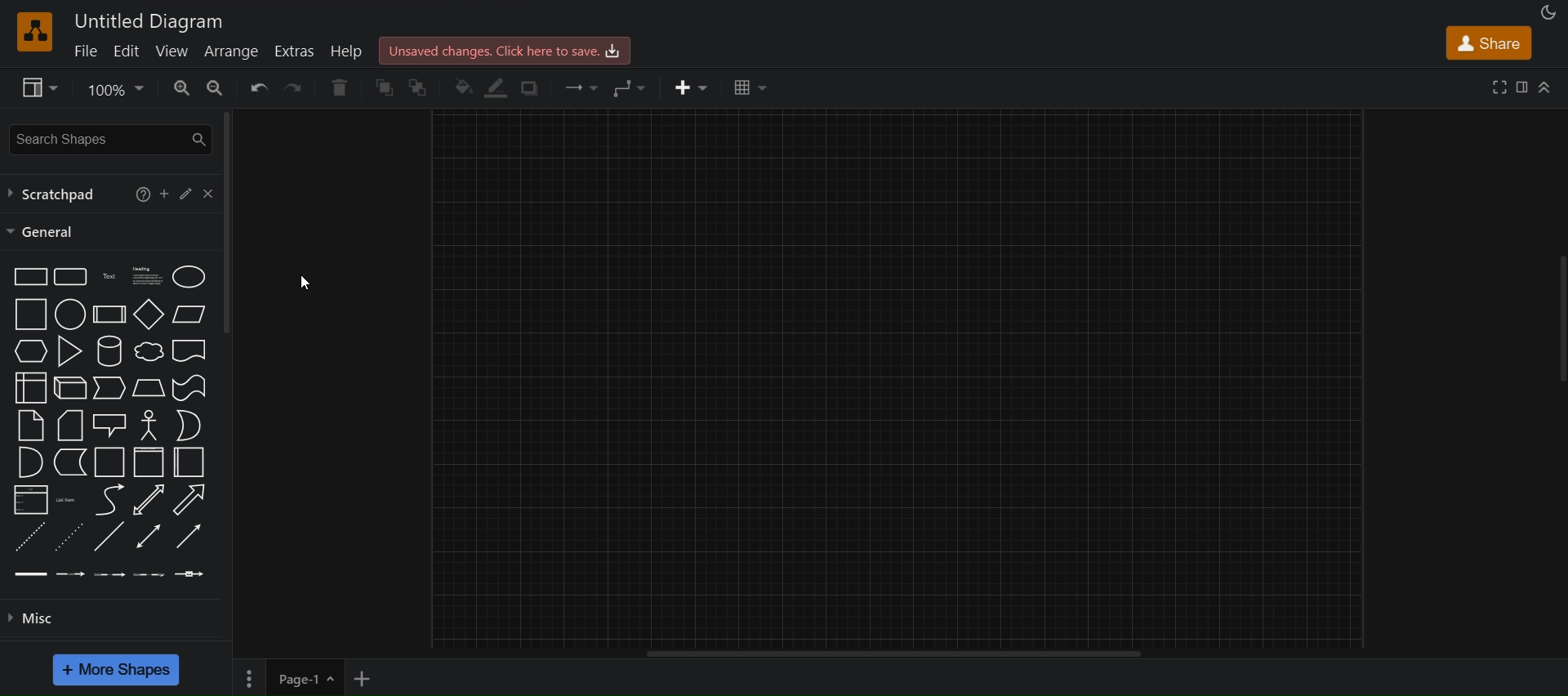 The width and height of the screenshot is (1568, 696). I want to click on vertical scroll bar, so click(228, 221).